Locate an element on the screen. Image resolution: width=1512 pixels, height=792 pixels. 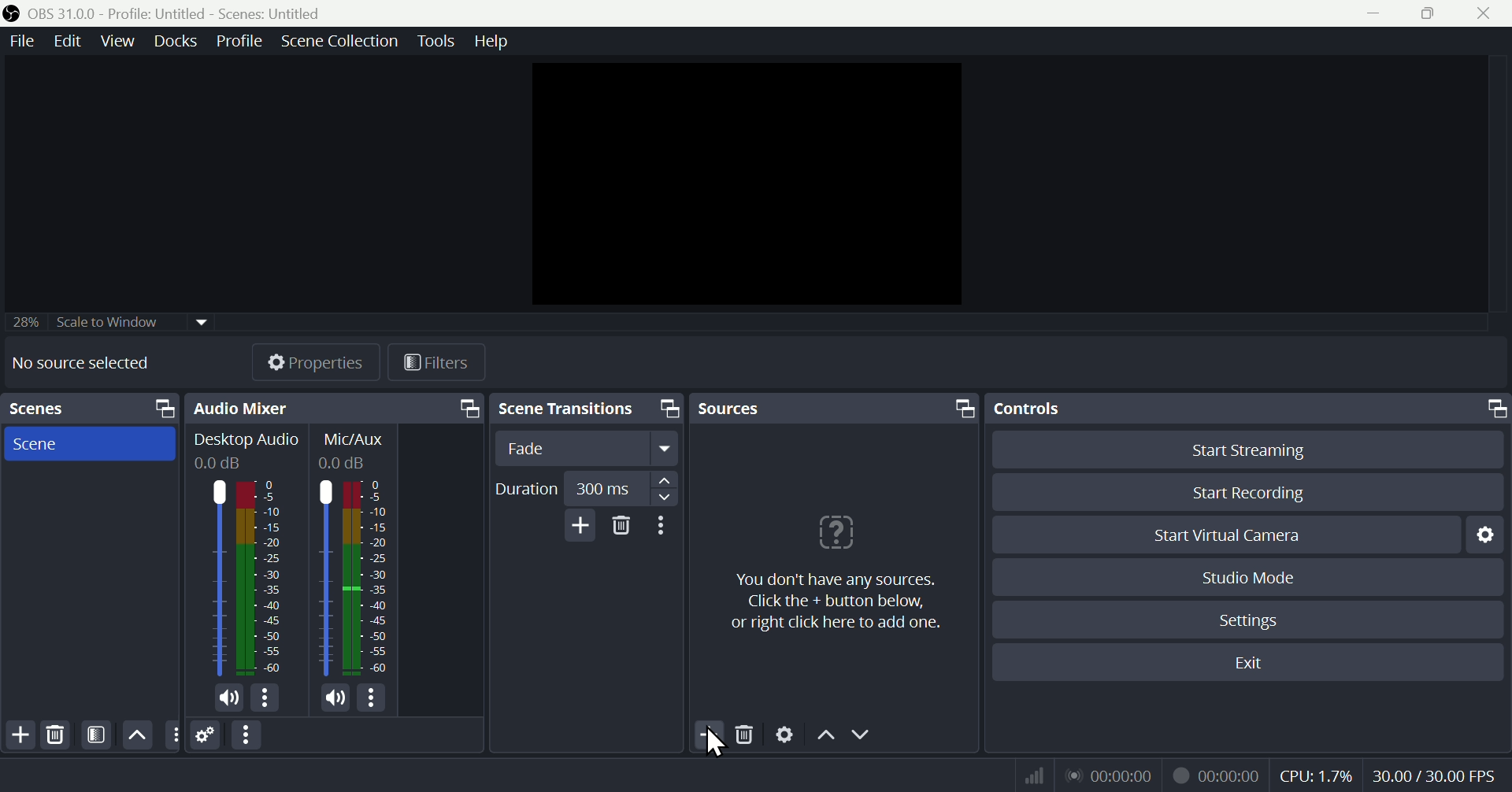
Settings is located at coordinates (1252, 620).